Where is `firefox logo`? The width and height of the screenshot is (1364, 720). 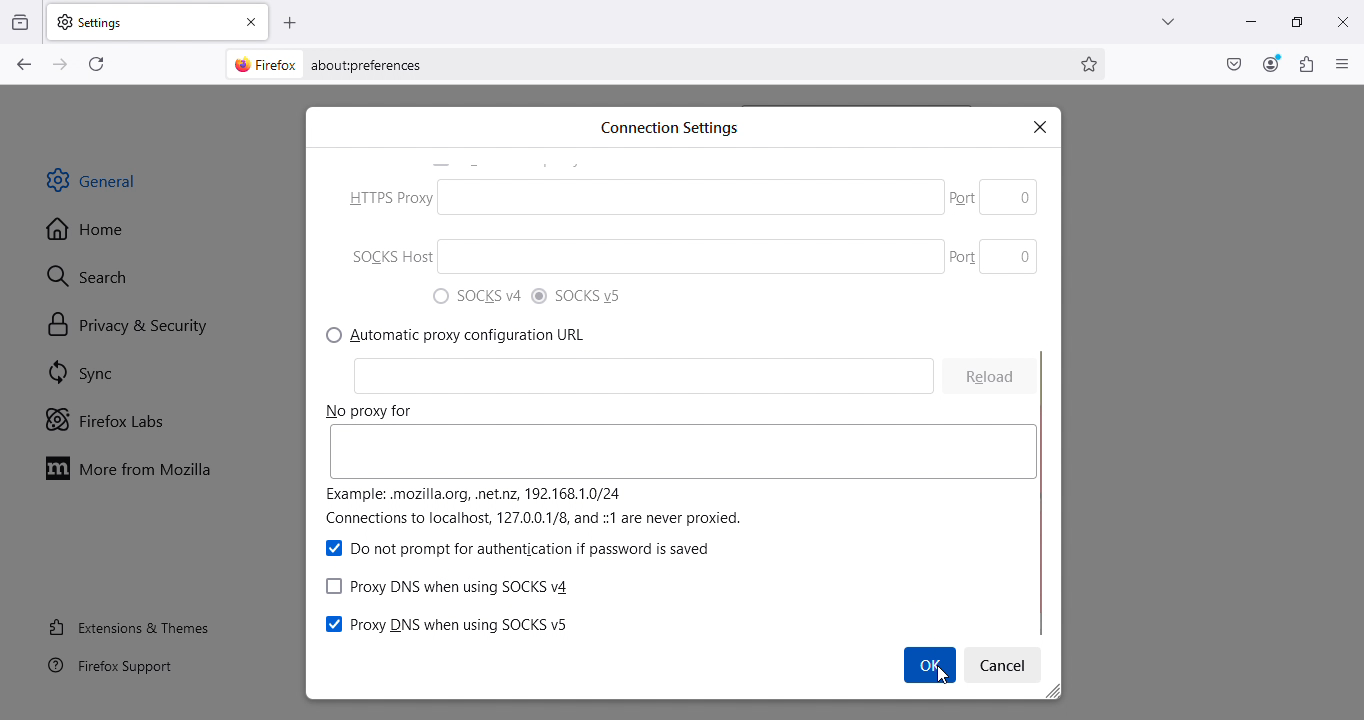
firefox logo is located at coordinates (260, 64).